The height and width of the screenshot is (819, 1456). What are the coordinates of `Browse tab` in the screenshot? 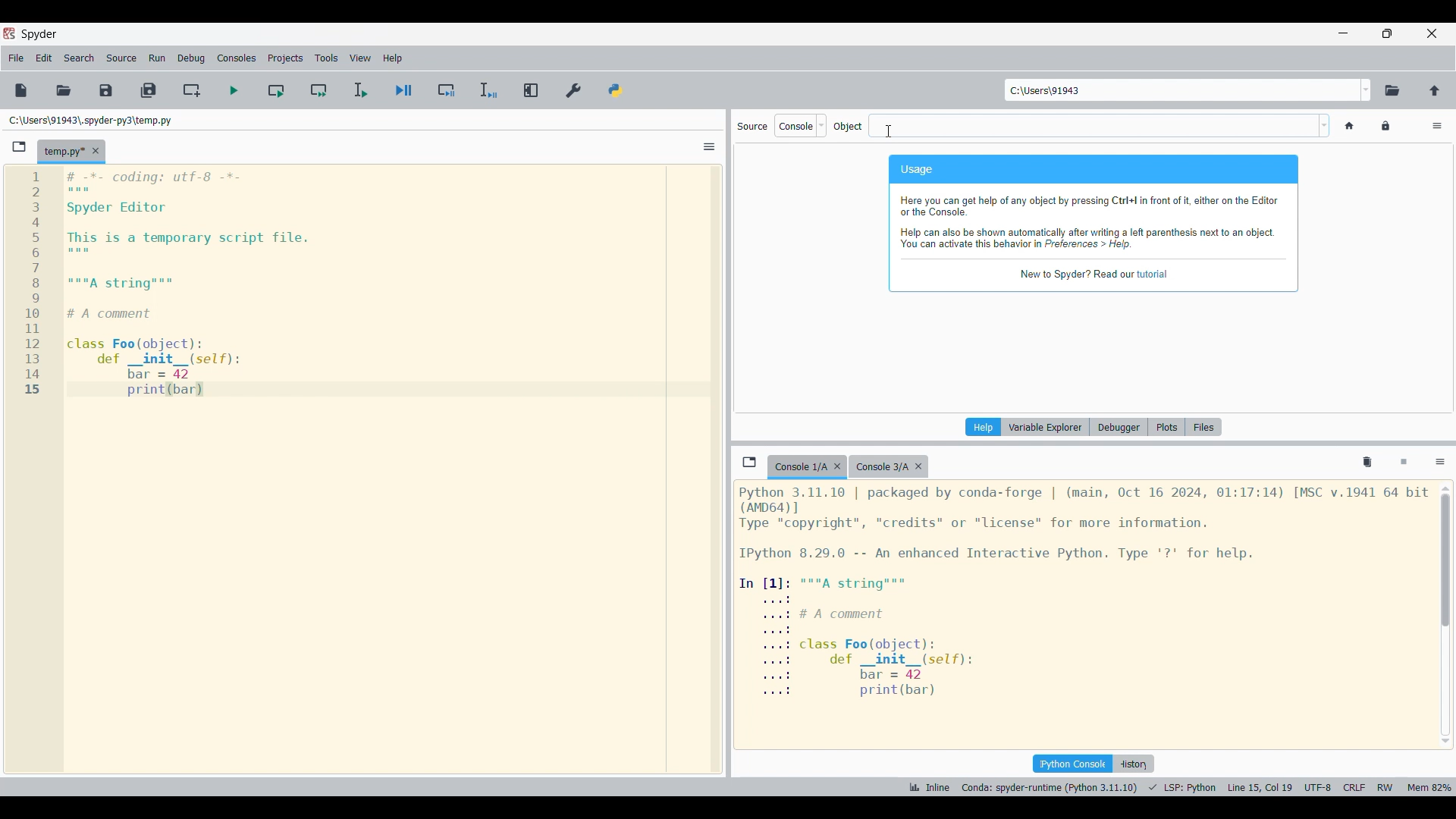 It's located at (750, 462).